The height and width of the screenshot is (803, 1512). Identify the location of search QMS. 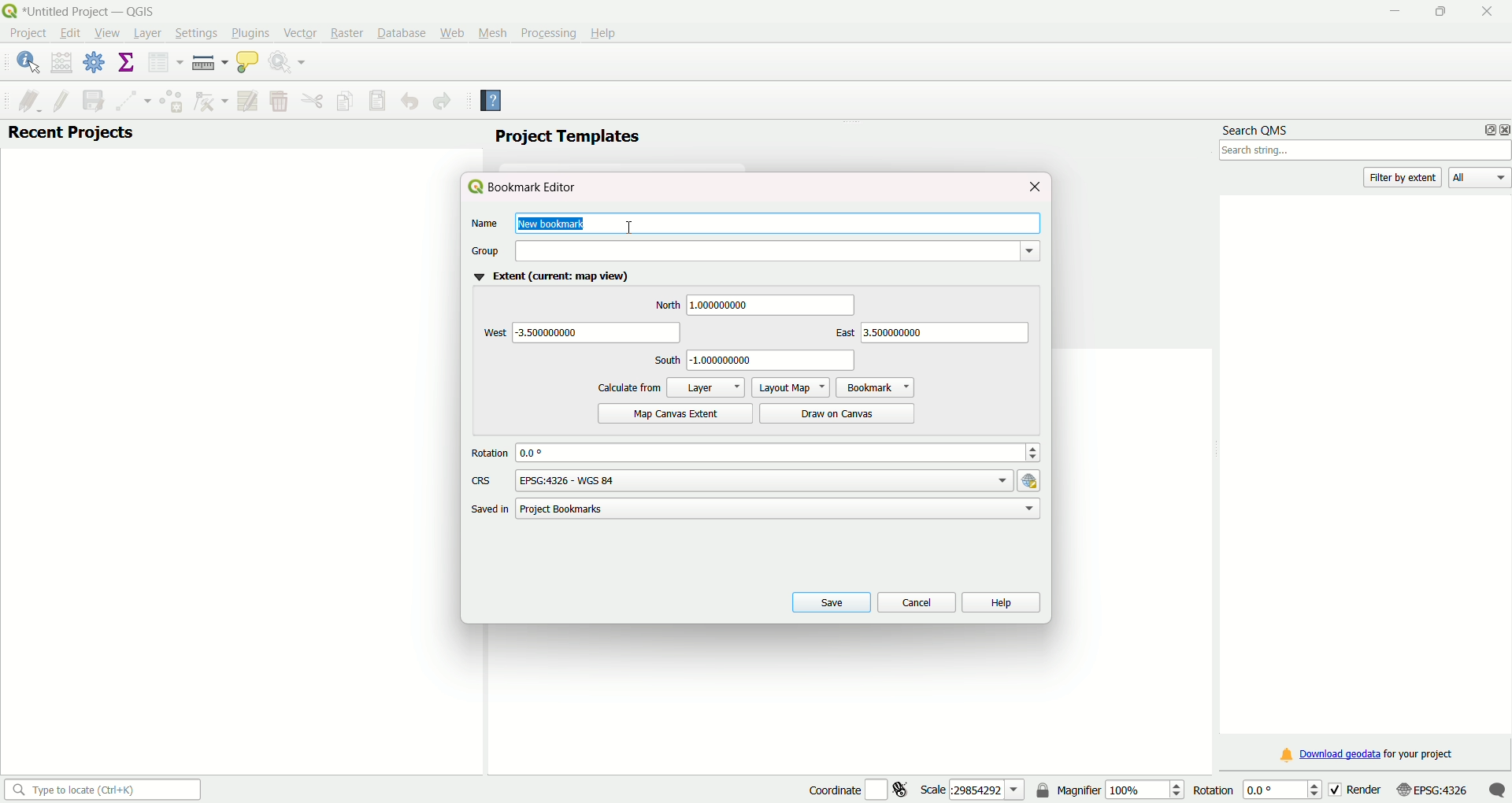
(1258, 127).